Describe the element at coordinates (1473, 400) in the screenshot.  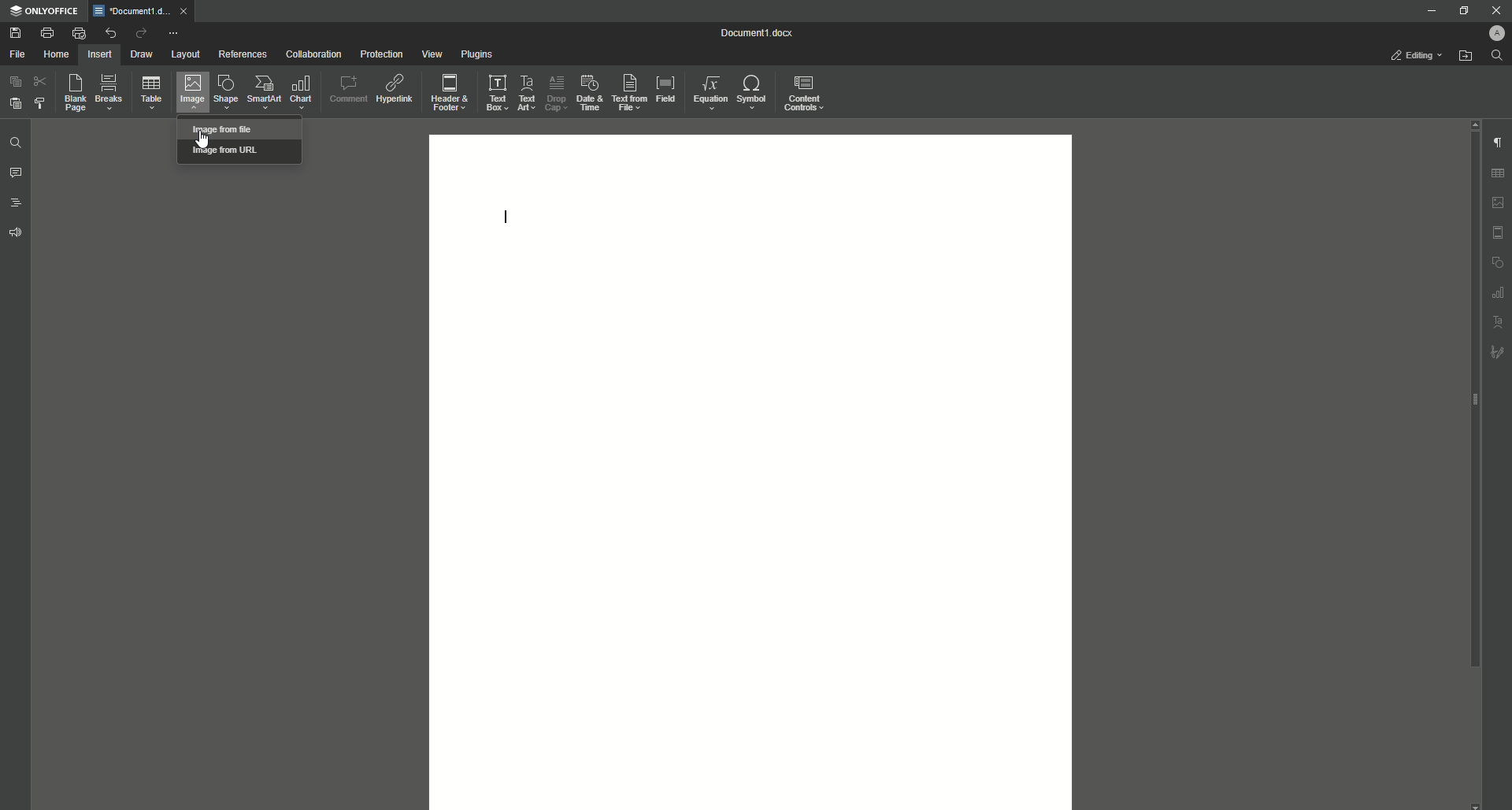
I see `Scroll bar` at that location.